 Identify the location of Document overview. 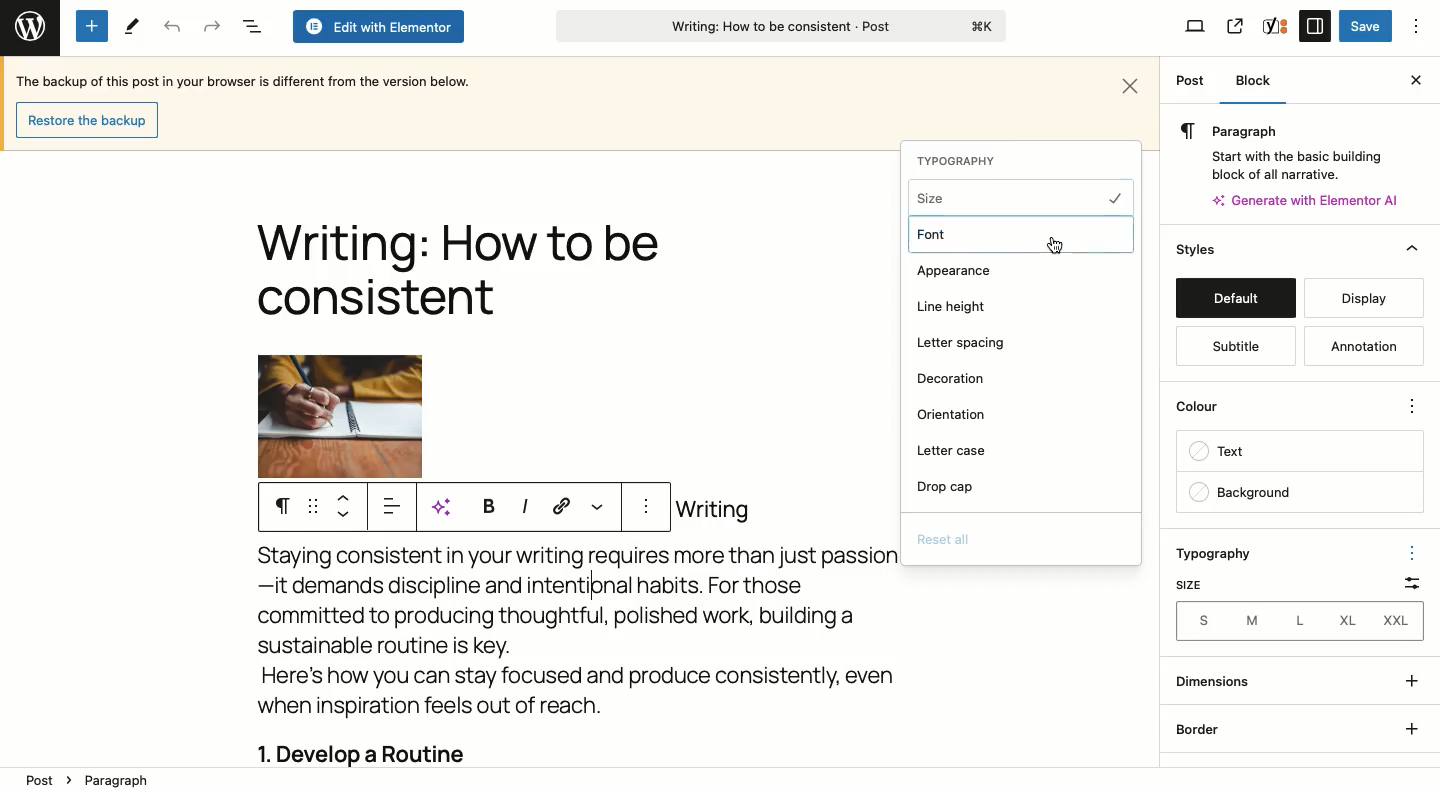
(251, 27).